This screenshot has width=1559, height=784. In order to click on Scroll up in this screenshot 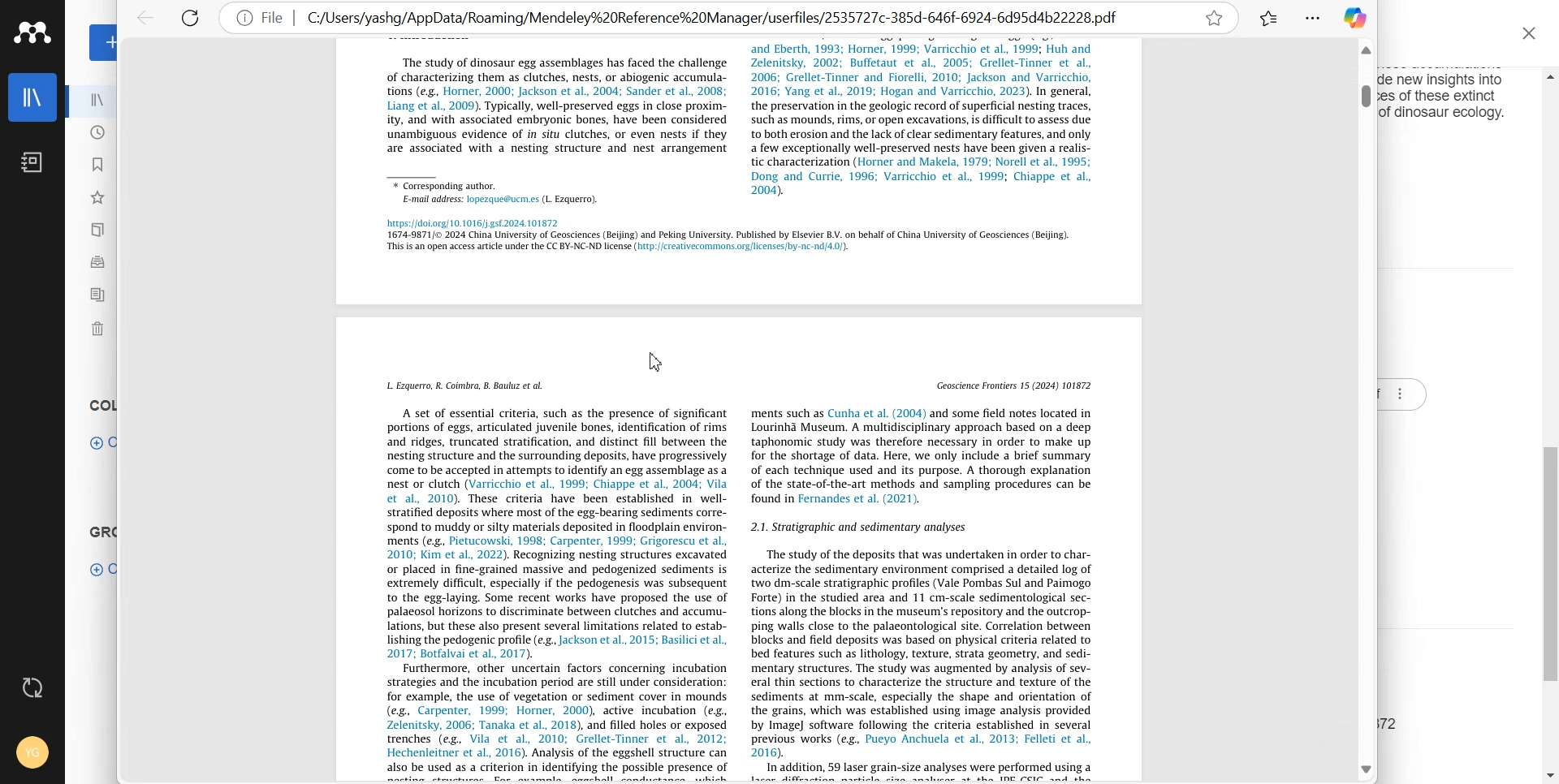, I will do `click(1547, 75)`.